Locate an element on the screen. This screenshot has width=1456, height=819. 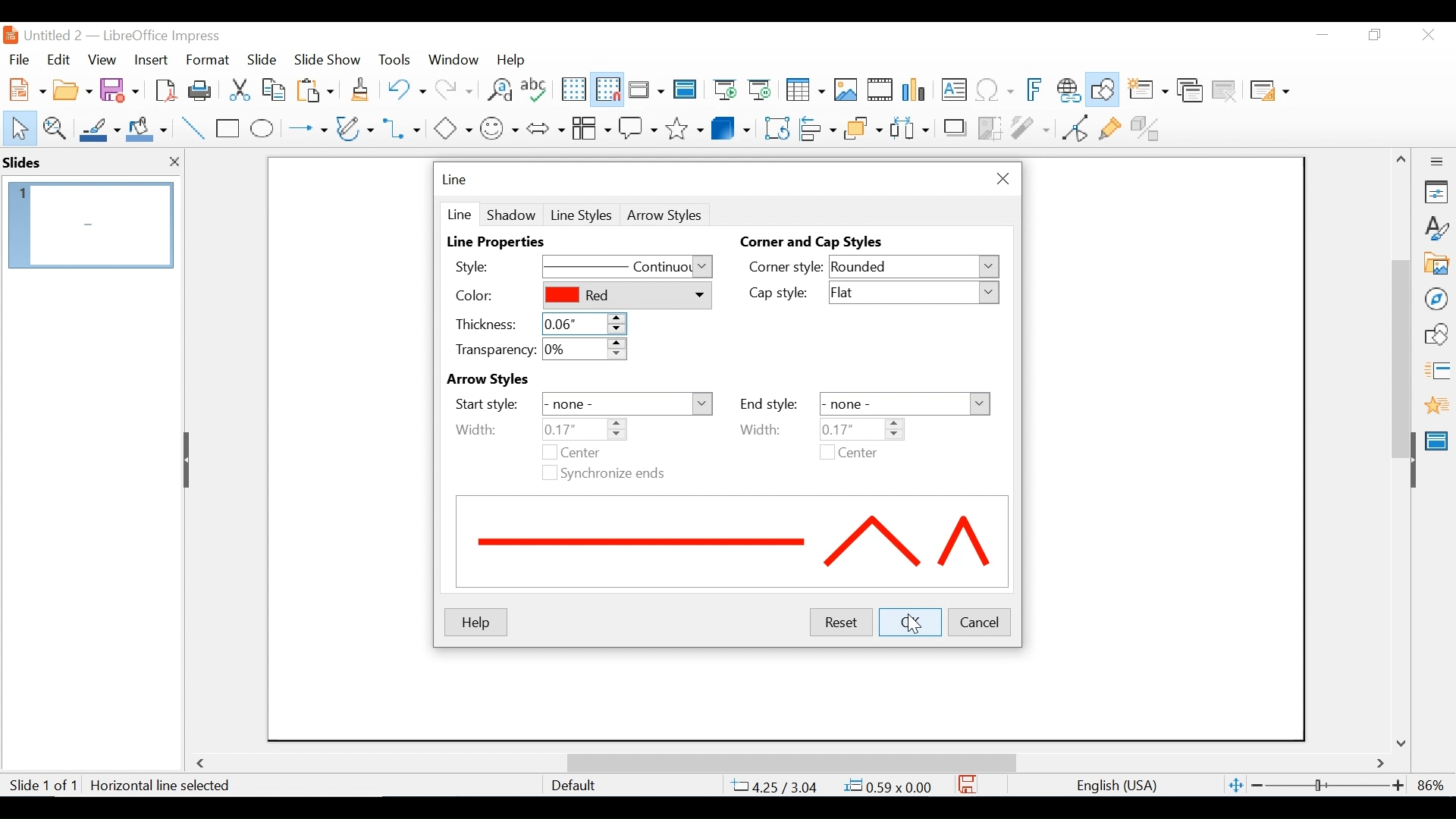
Fill Color is located at coordinates (147, 129).